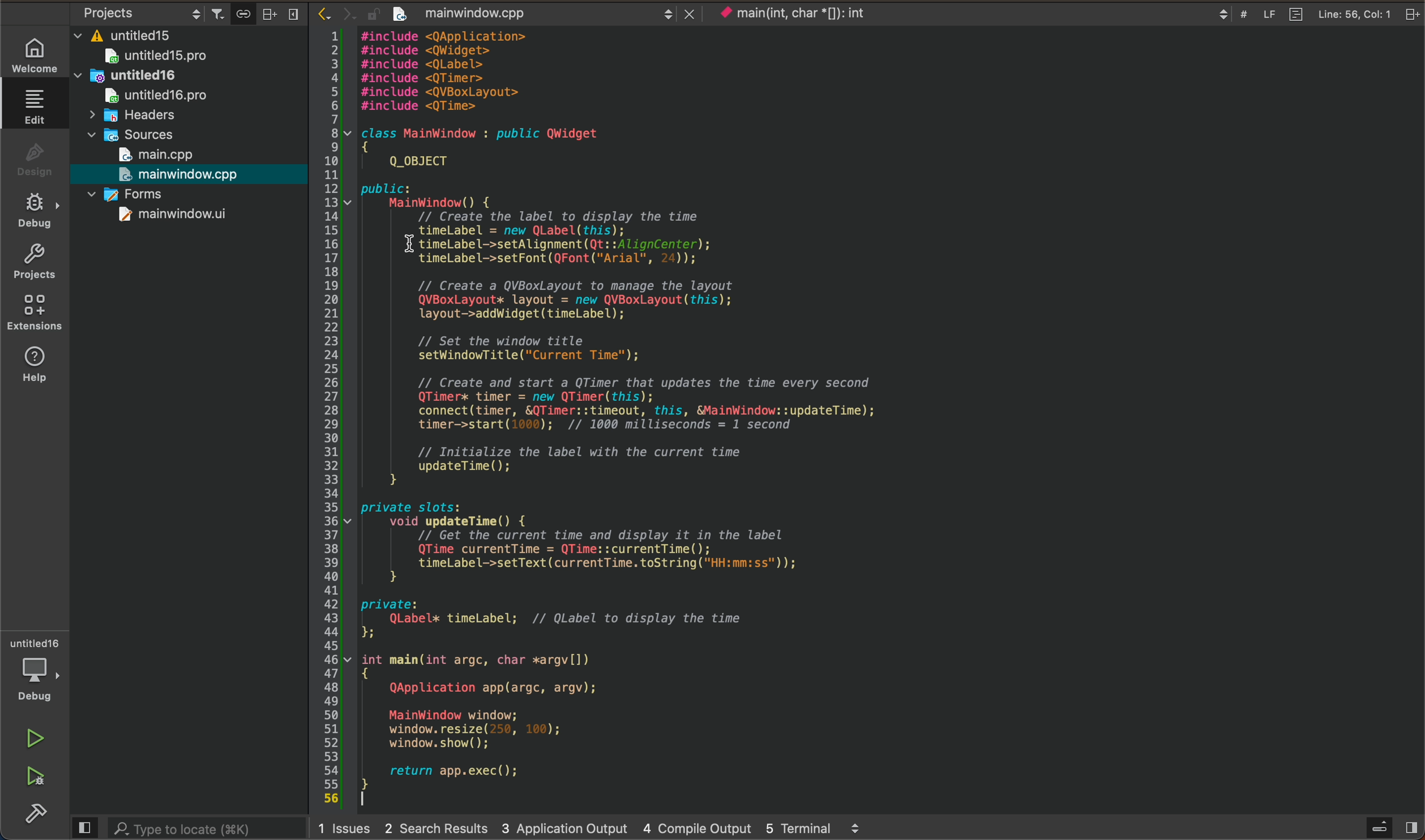  Describe the element at coordinates (37, 364) in the screenshot. I see `help` at that location.